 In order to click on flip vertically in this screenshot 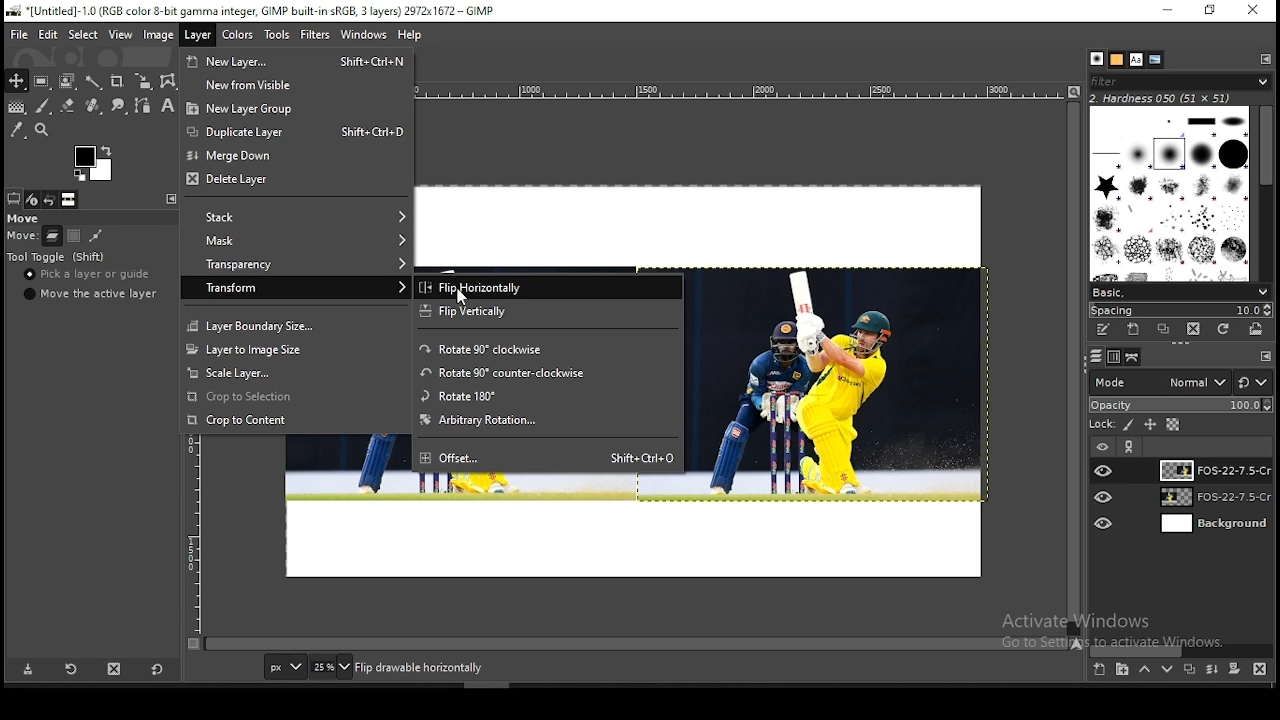, I will do `click(549, 312)`.